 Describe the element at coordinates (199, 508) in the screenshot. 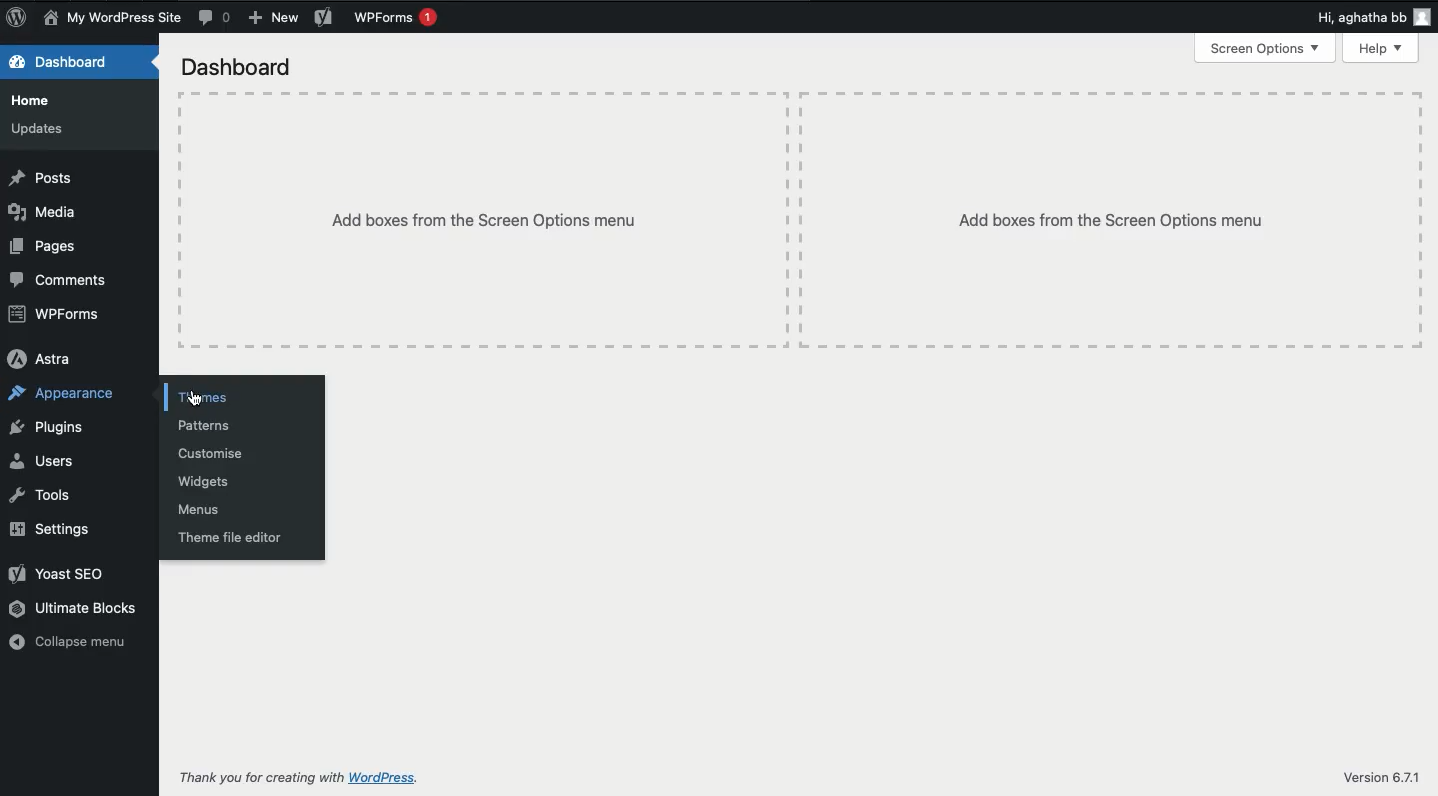

I see `Menus` at that location.